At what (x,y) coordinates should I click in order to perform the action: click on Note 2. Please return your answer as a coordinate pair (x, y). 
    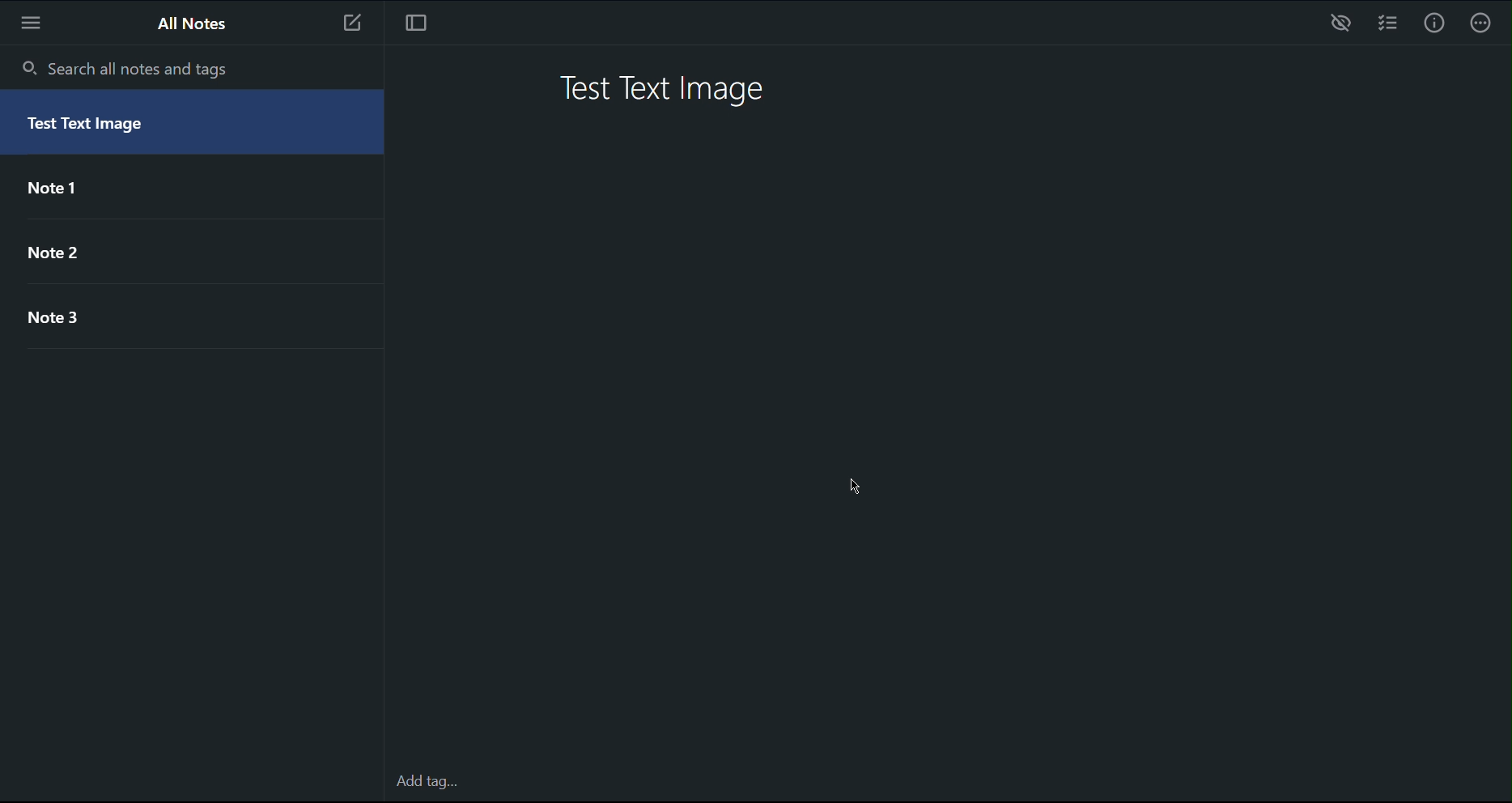
    Looking at the image, I should click on (69, 258).